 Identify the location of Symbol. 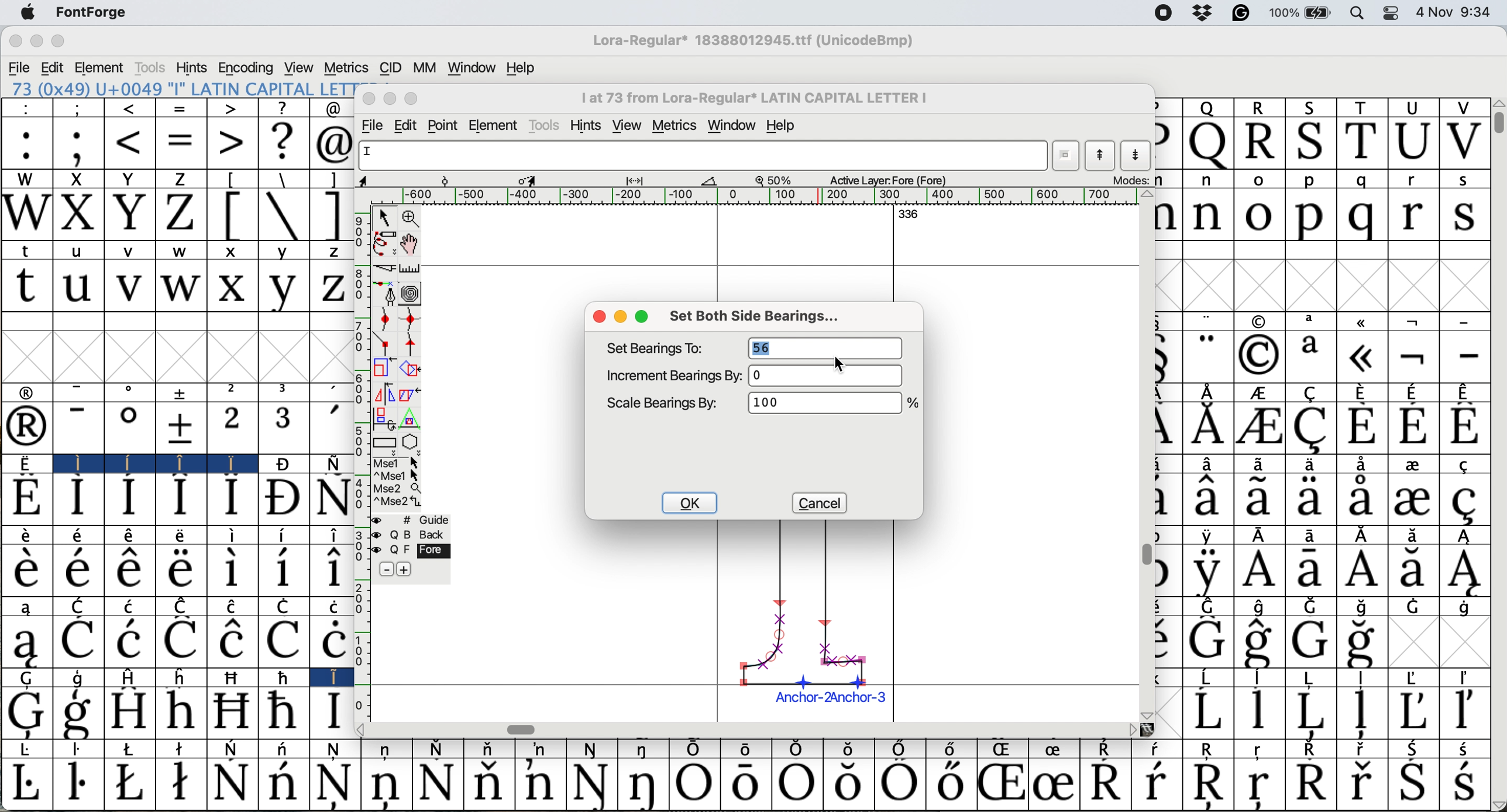
(1207, 499).